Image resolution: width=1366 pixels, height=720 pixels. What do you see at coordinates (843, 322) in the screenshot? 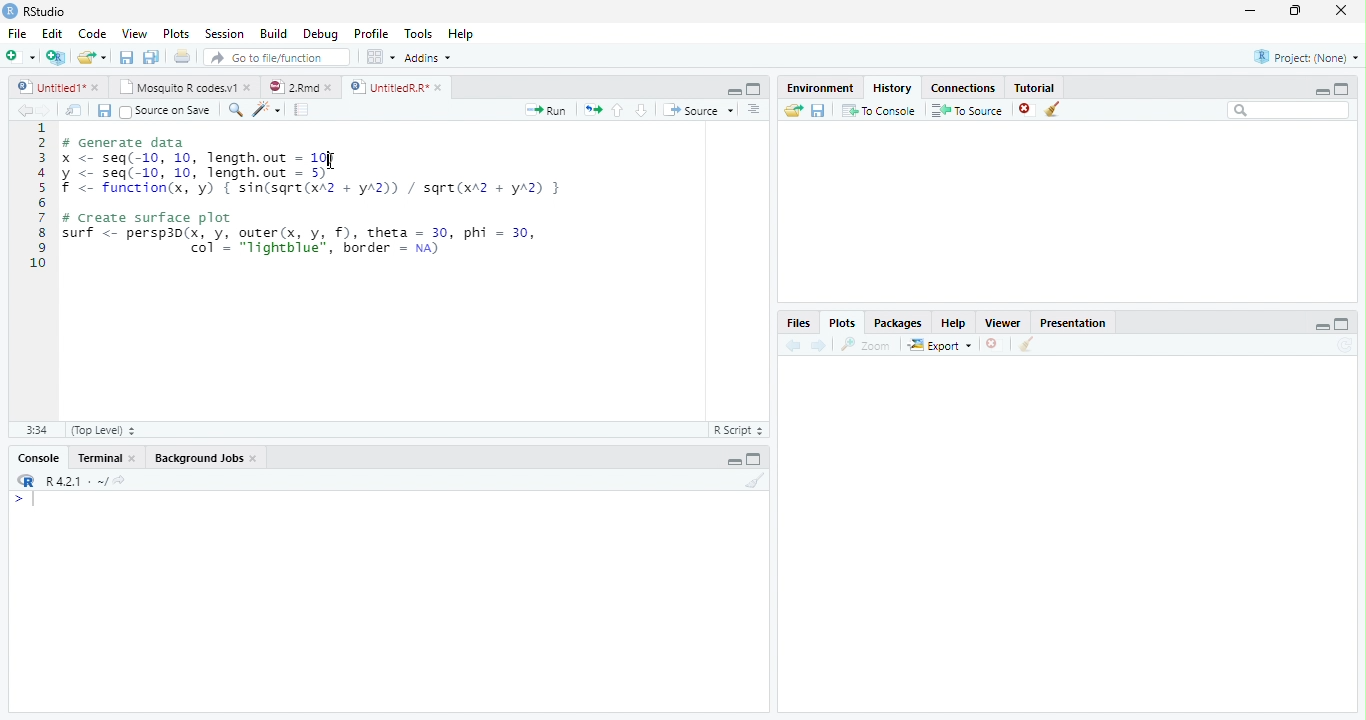
I see `Plots` at bounding box center [843, 322].